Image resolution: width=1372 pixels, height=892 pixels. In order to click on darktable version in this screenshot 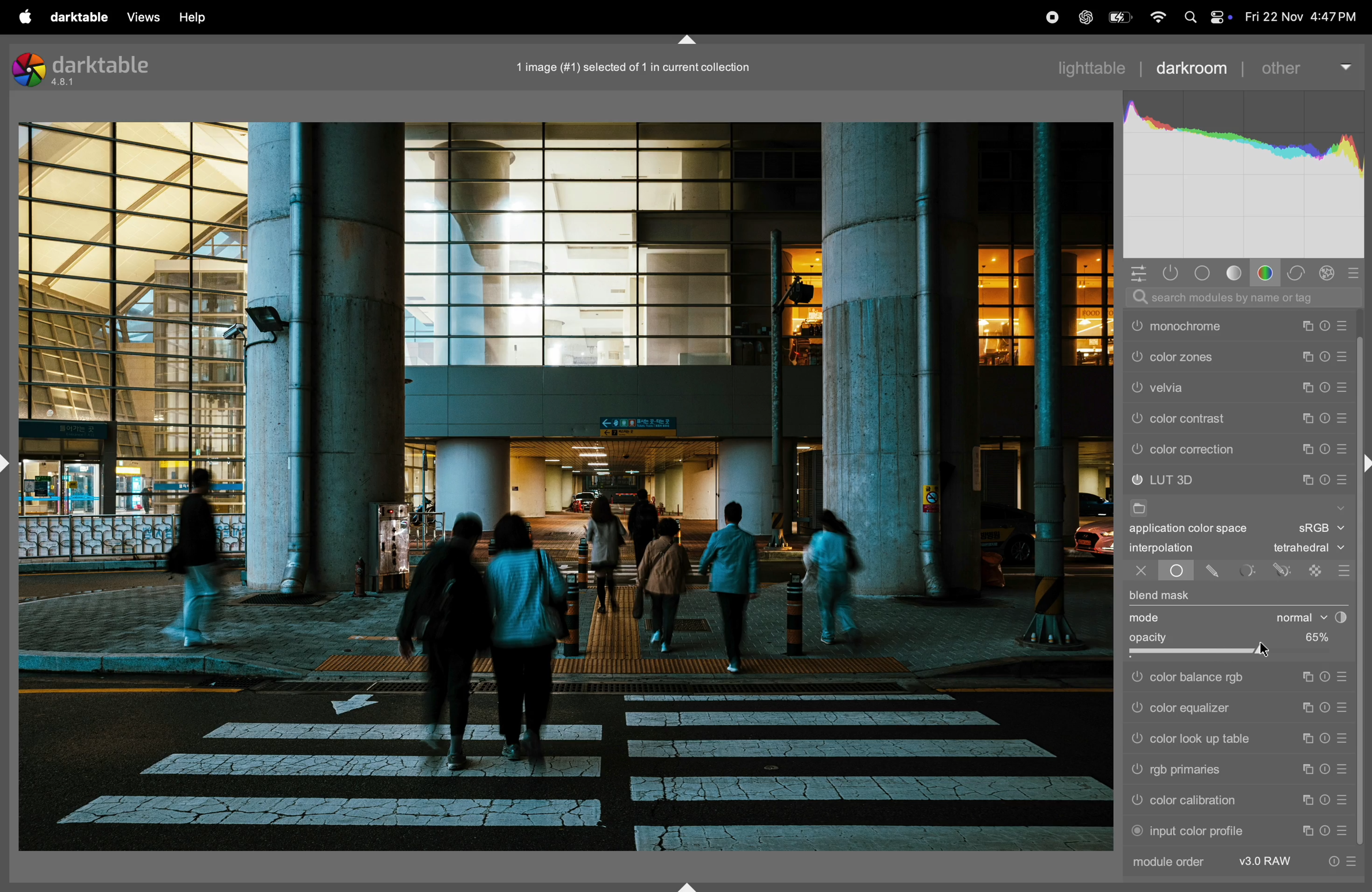, I will do `click(105, 70)`.